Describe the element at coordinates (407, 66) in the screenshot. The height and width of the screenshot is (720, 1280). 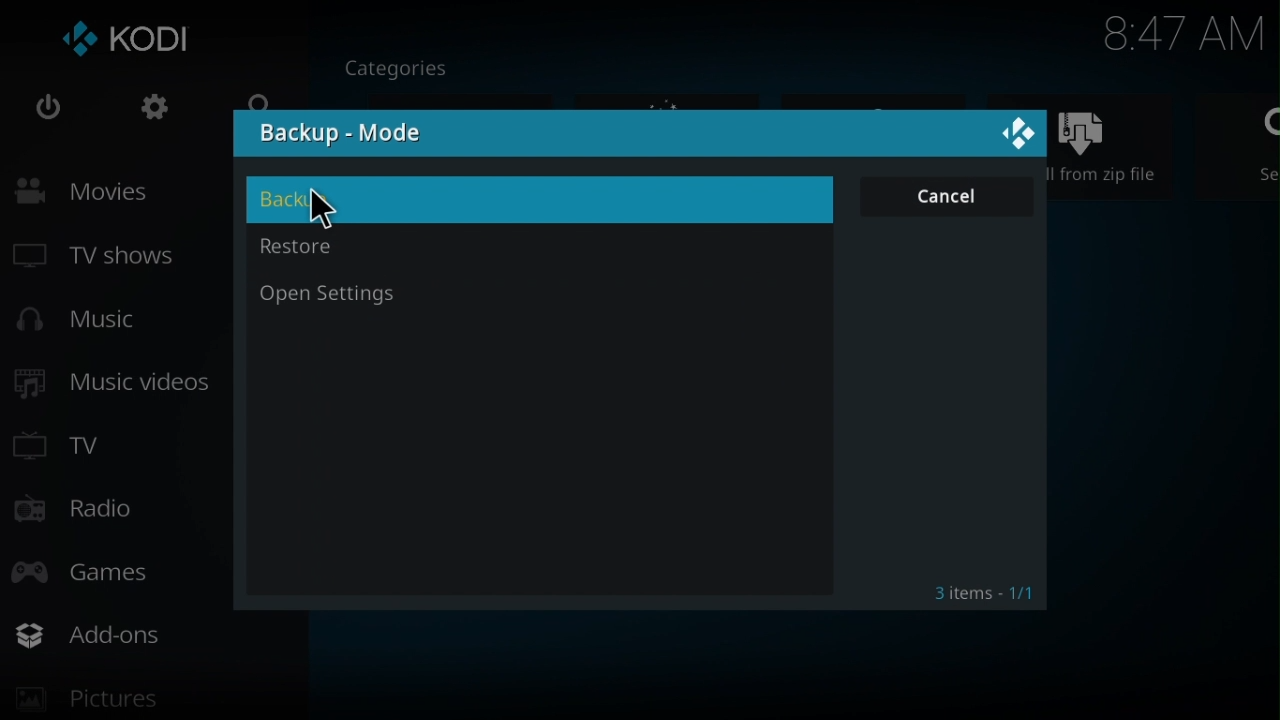
I see `Categories` at that location.